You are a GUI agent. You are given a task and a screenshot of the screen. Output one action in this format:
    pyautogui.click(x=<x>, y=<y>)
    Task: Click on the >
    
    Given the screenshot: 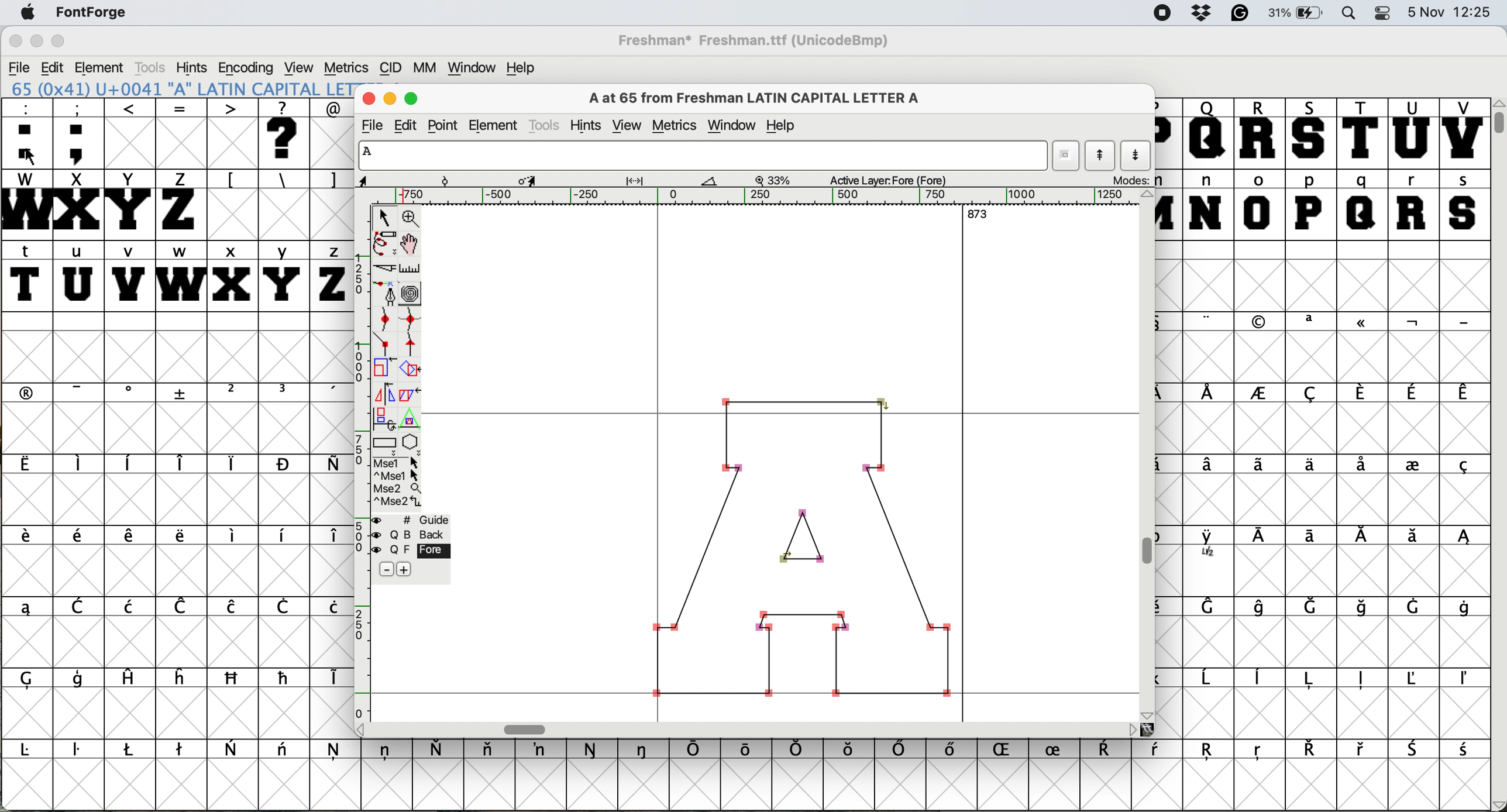 What is the action you would take?
    pyautogui.click(x=234, y=133)
    